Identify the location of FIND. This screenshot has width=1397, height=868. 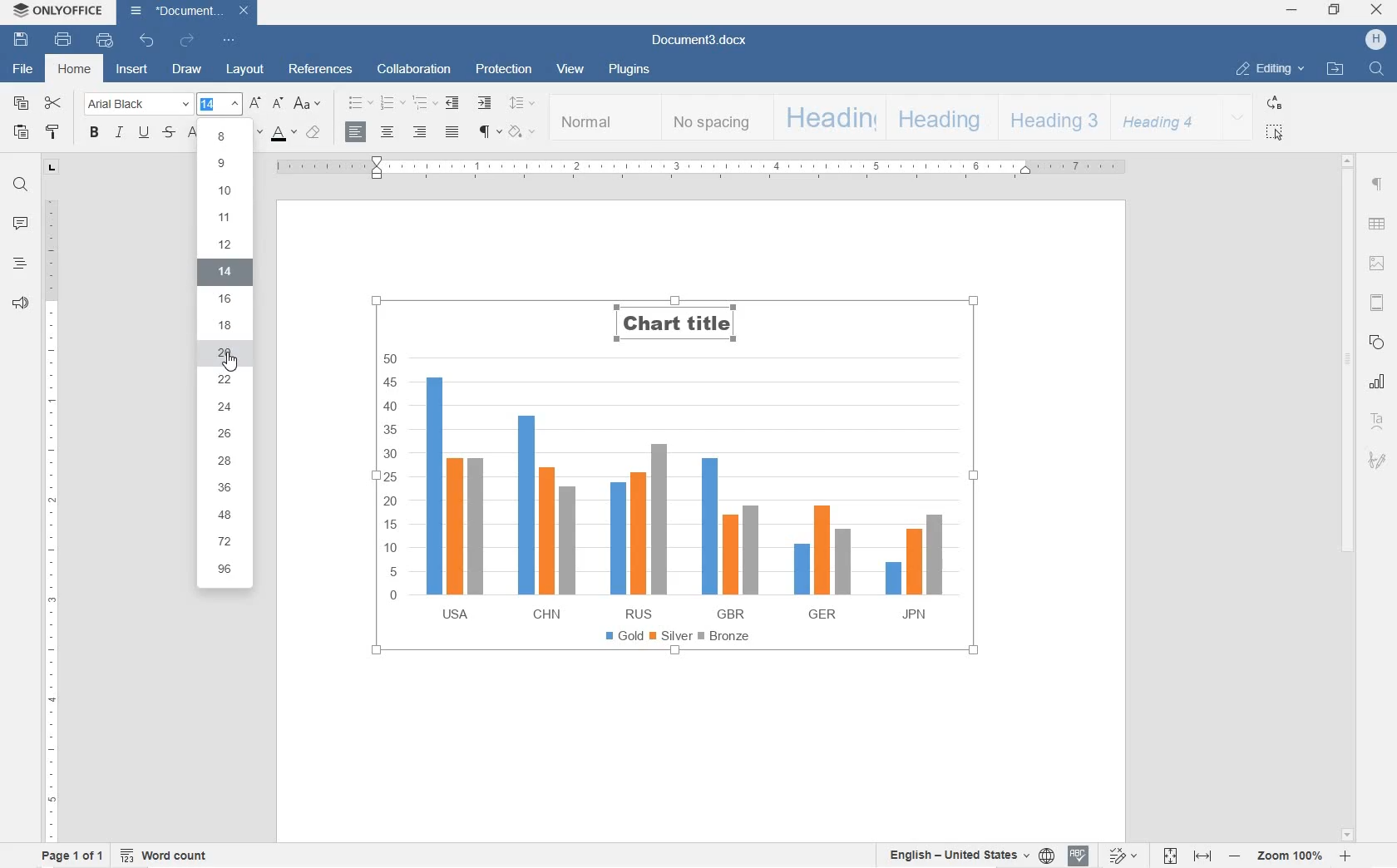
(1376, 68).